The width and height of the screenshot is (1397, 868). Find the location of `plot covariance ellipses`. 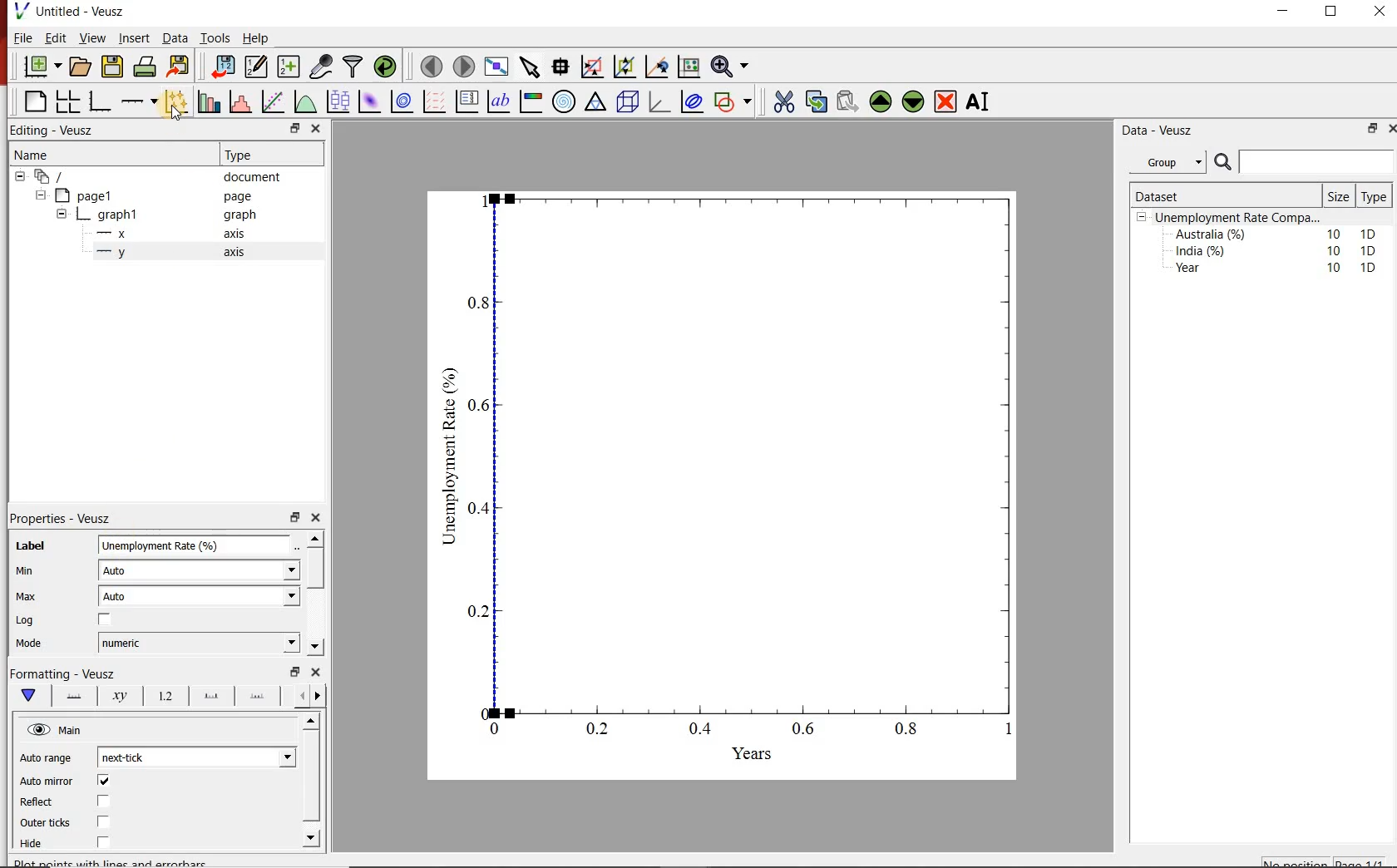

plot covariance ellipses is located at coordinates (693, 101).